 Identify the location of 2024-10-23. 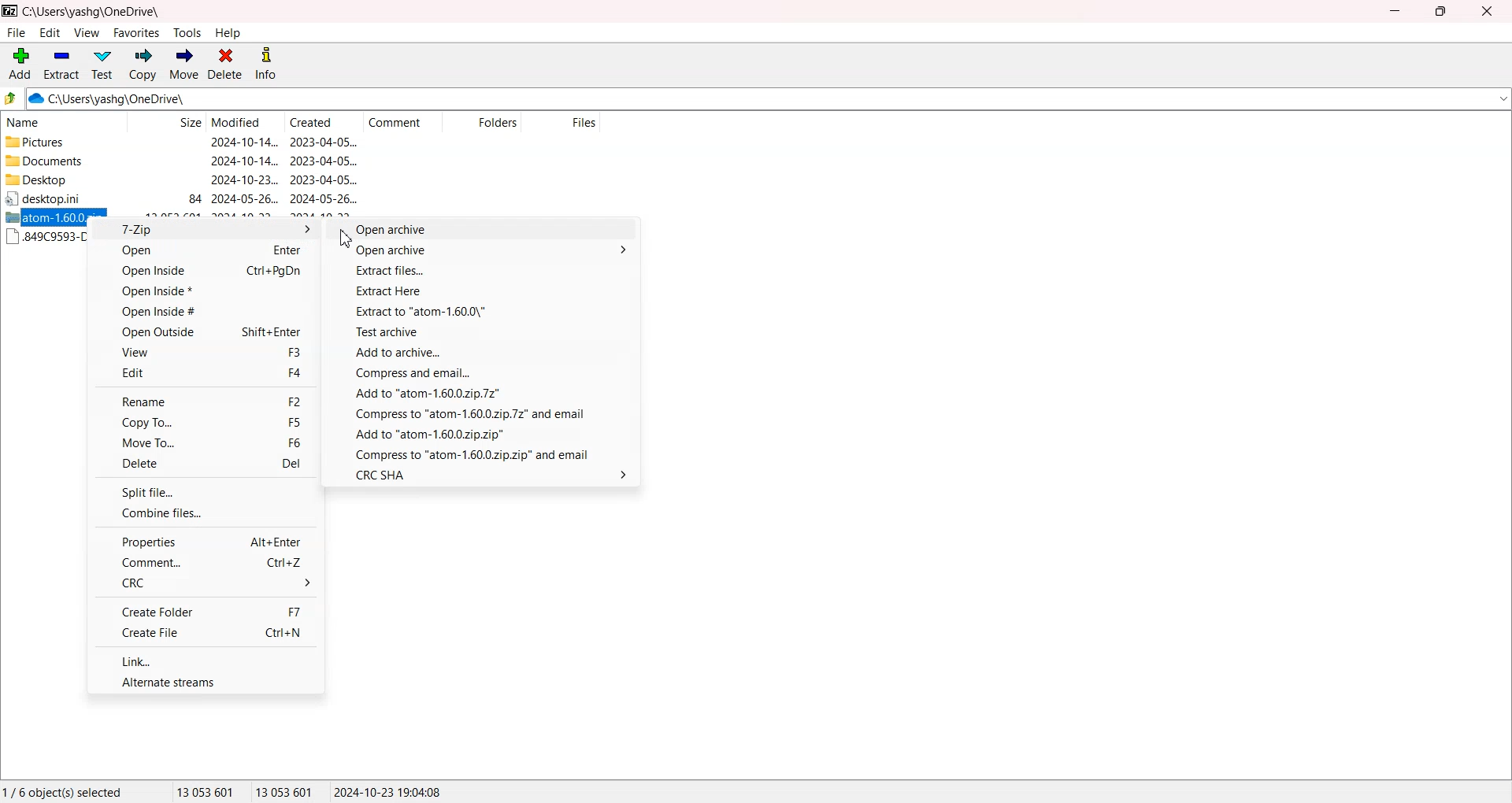
(245, 179).